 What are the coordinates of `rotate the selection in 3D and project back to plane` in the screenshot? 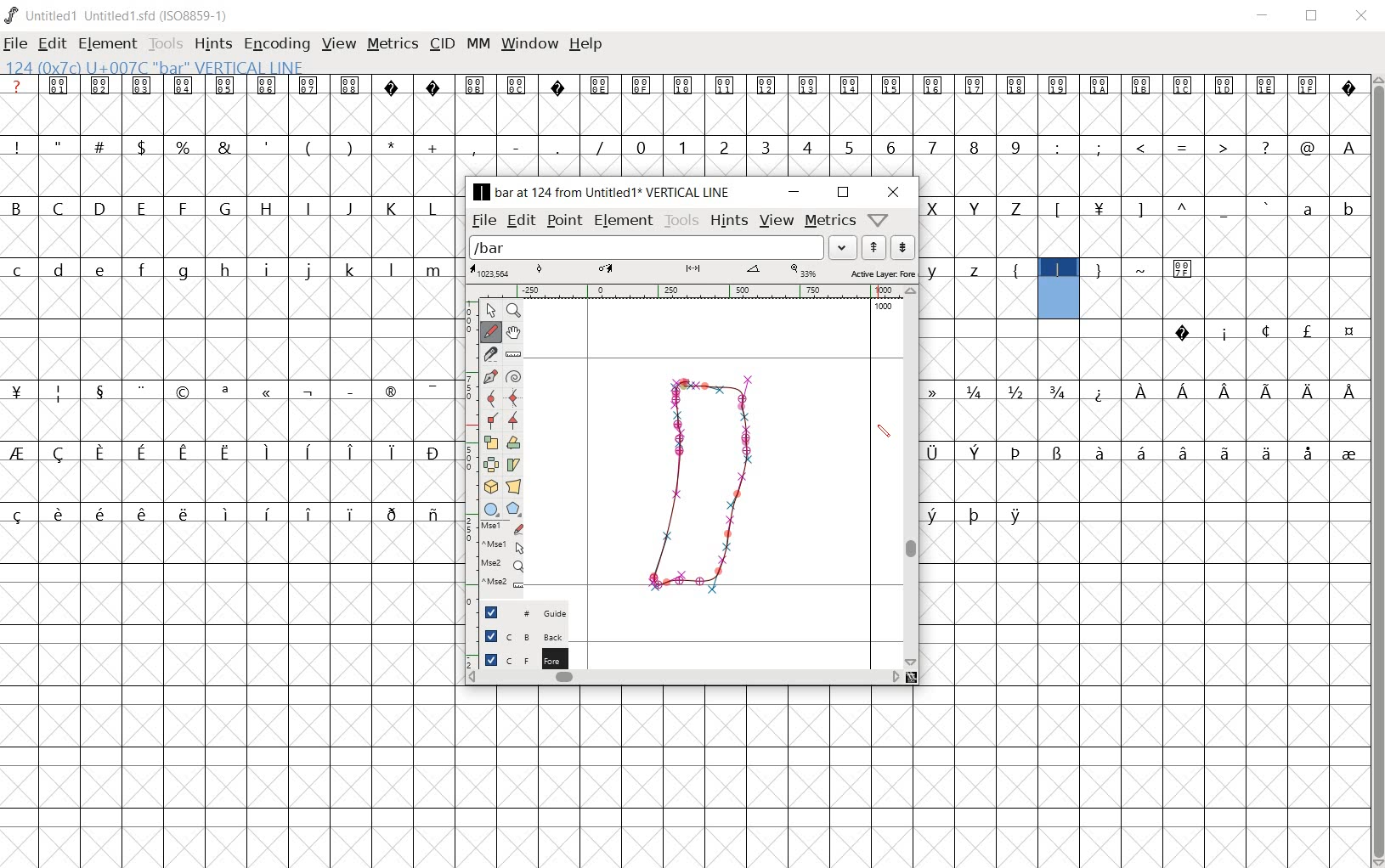 It's located at (489, 486).